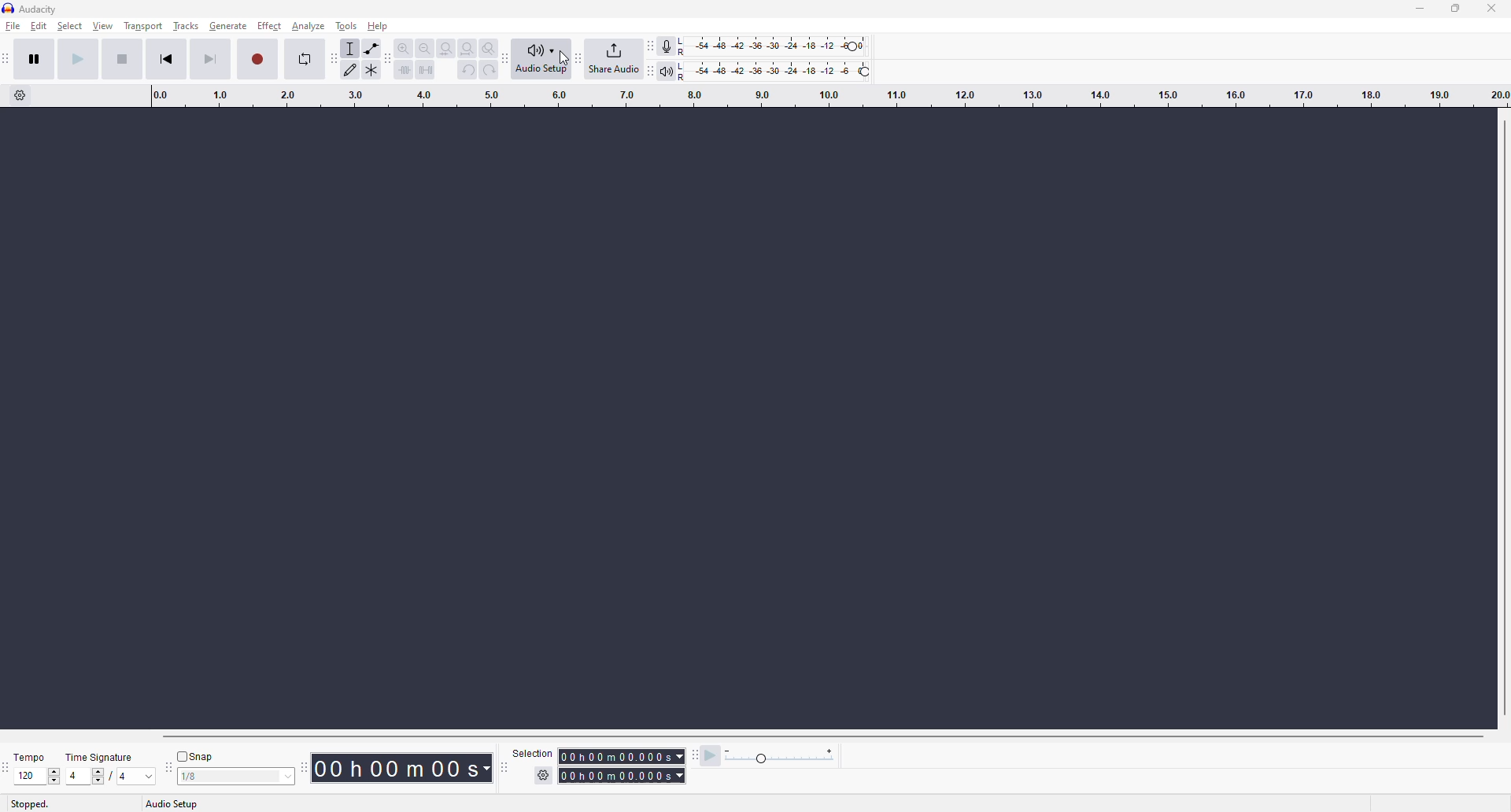  Describe the element at coordinates (203, 59) in the screenshot. I see `skip to end` at that location.